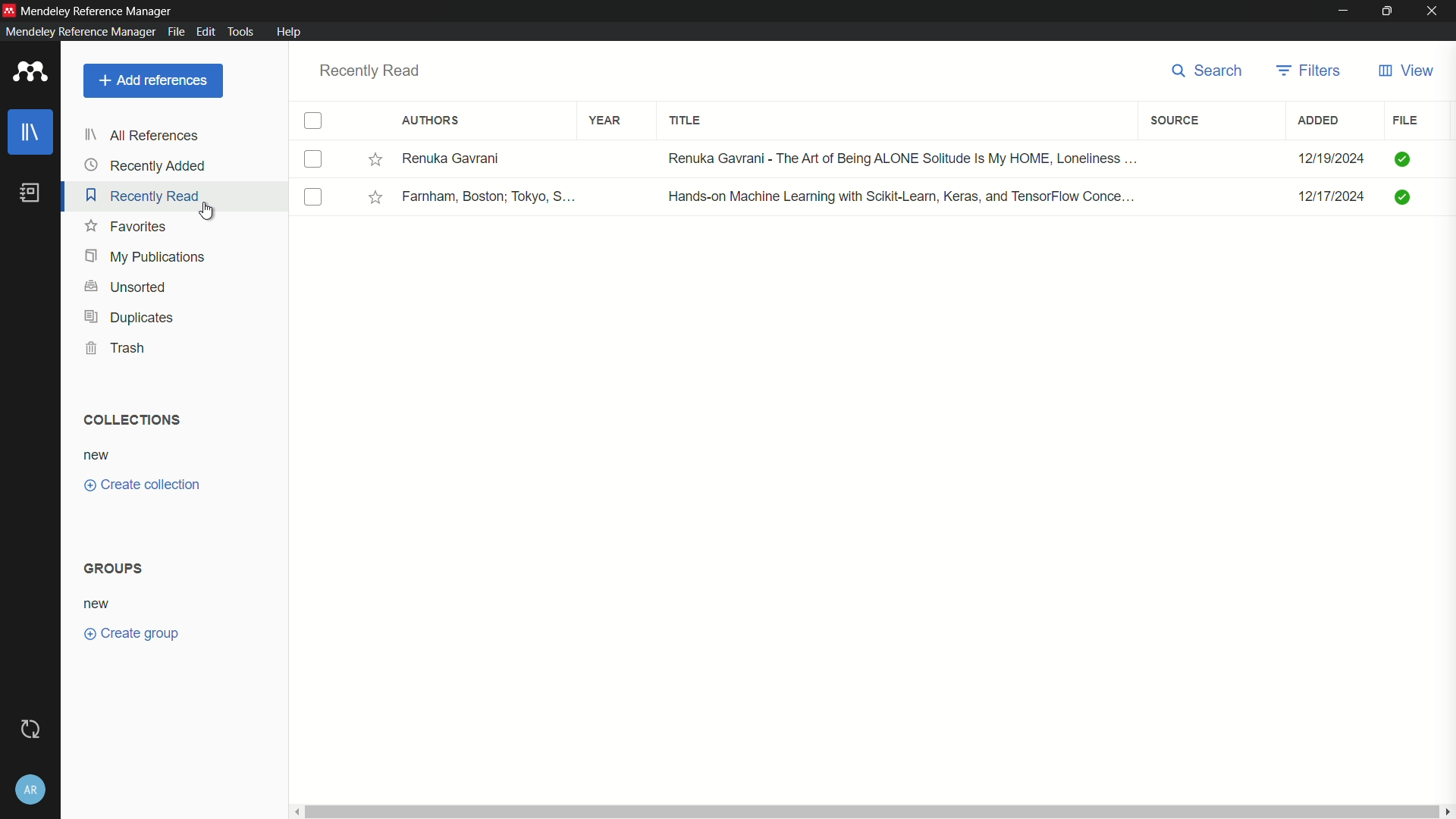  What do you see at coordinates (489, 196) in the screenshot?
I see `Fanham Boston` at bounding box center [489, 196].